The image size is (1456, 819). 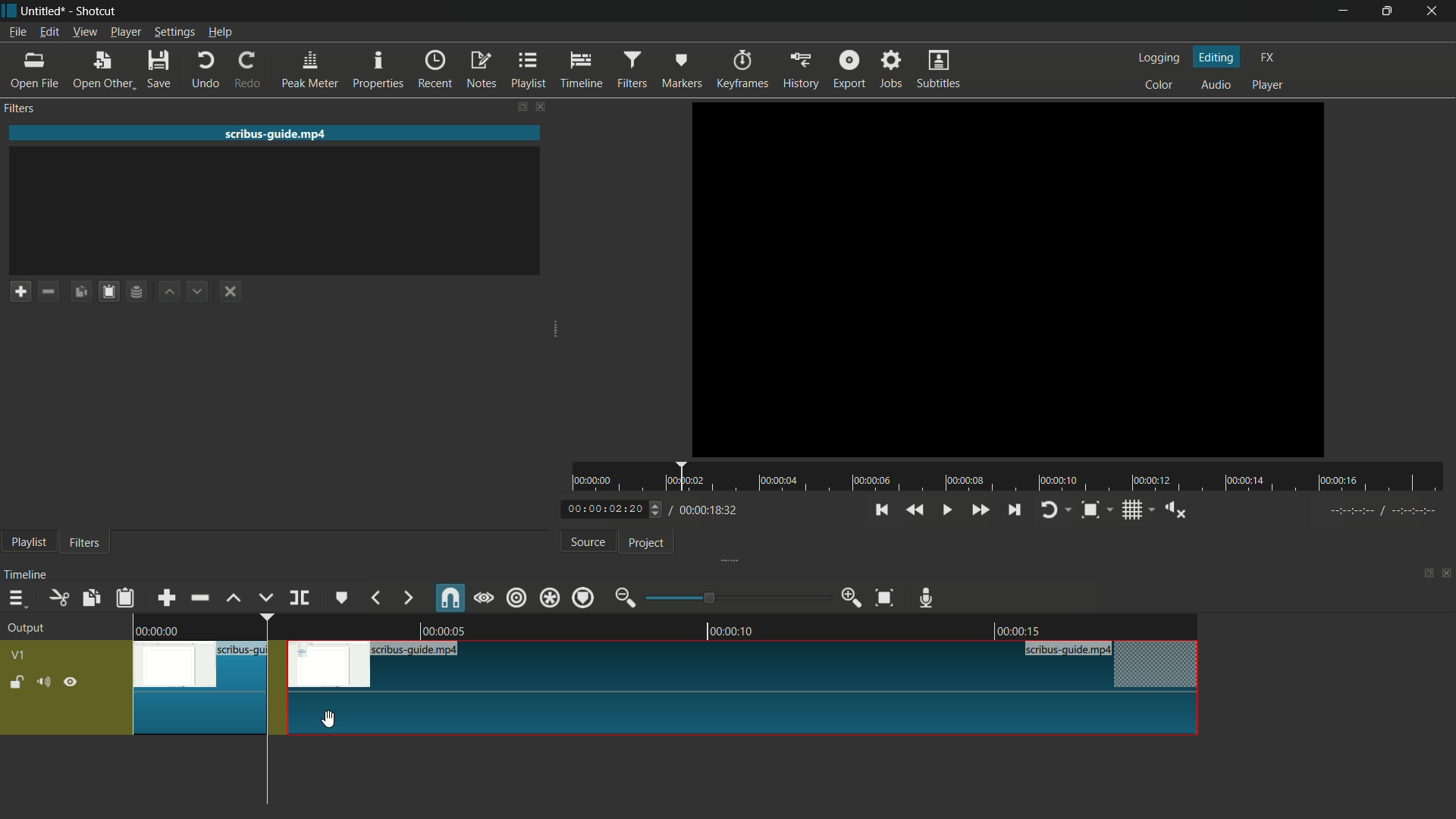 What do you see at coordinates (1090, 510) in the screenshot?
I see `toggle zoom` at bounding box center [1090, 510].